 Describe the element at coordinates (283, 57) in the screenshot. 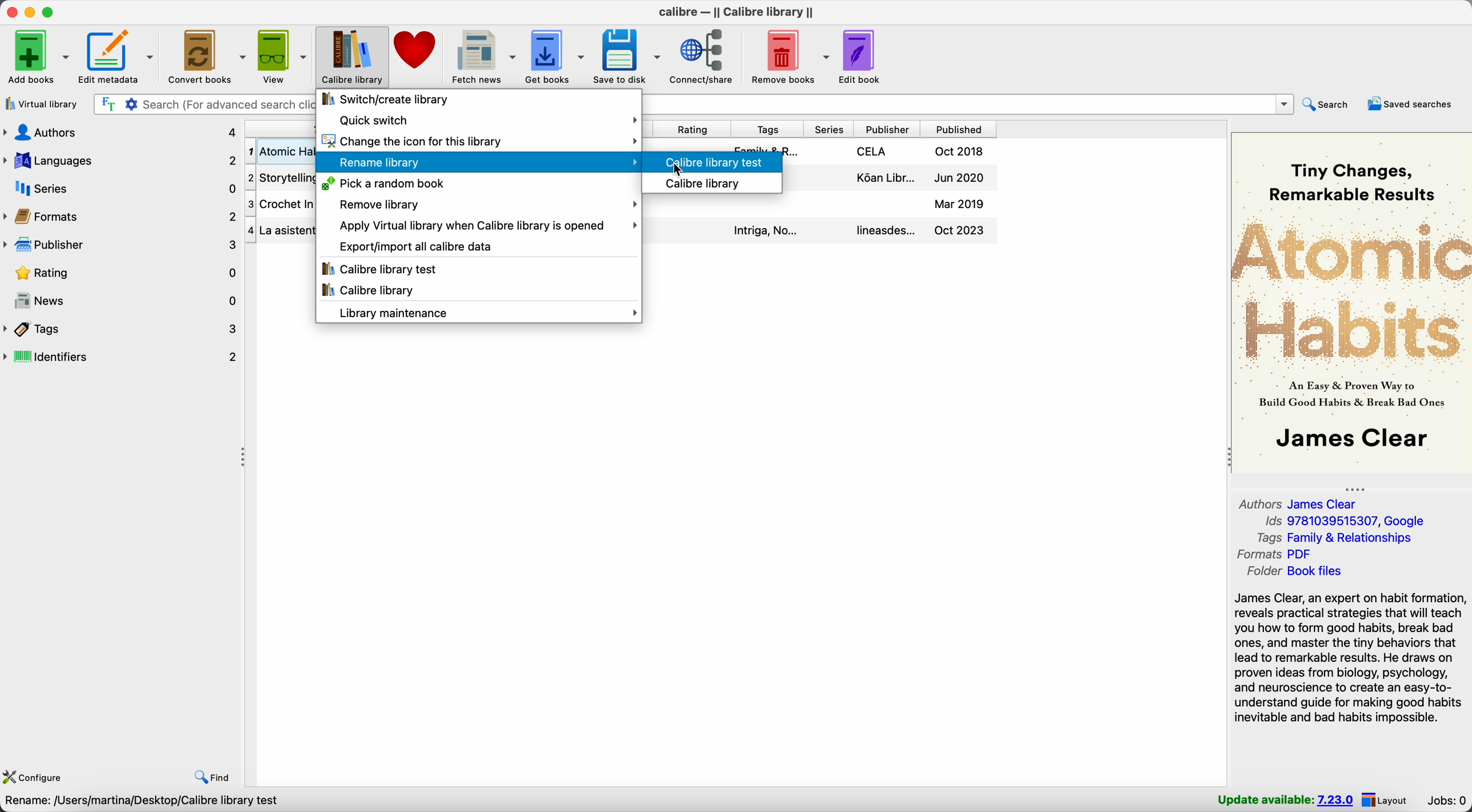

I see `view` at that location.